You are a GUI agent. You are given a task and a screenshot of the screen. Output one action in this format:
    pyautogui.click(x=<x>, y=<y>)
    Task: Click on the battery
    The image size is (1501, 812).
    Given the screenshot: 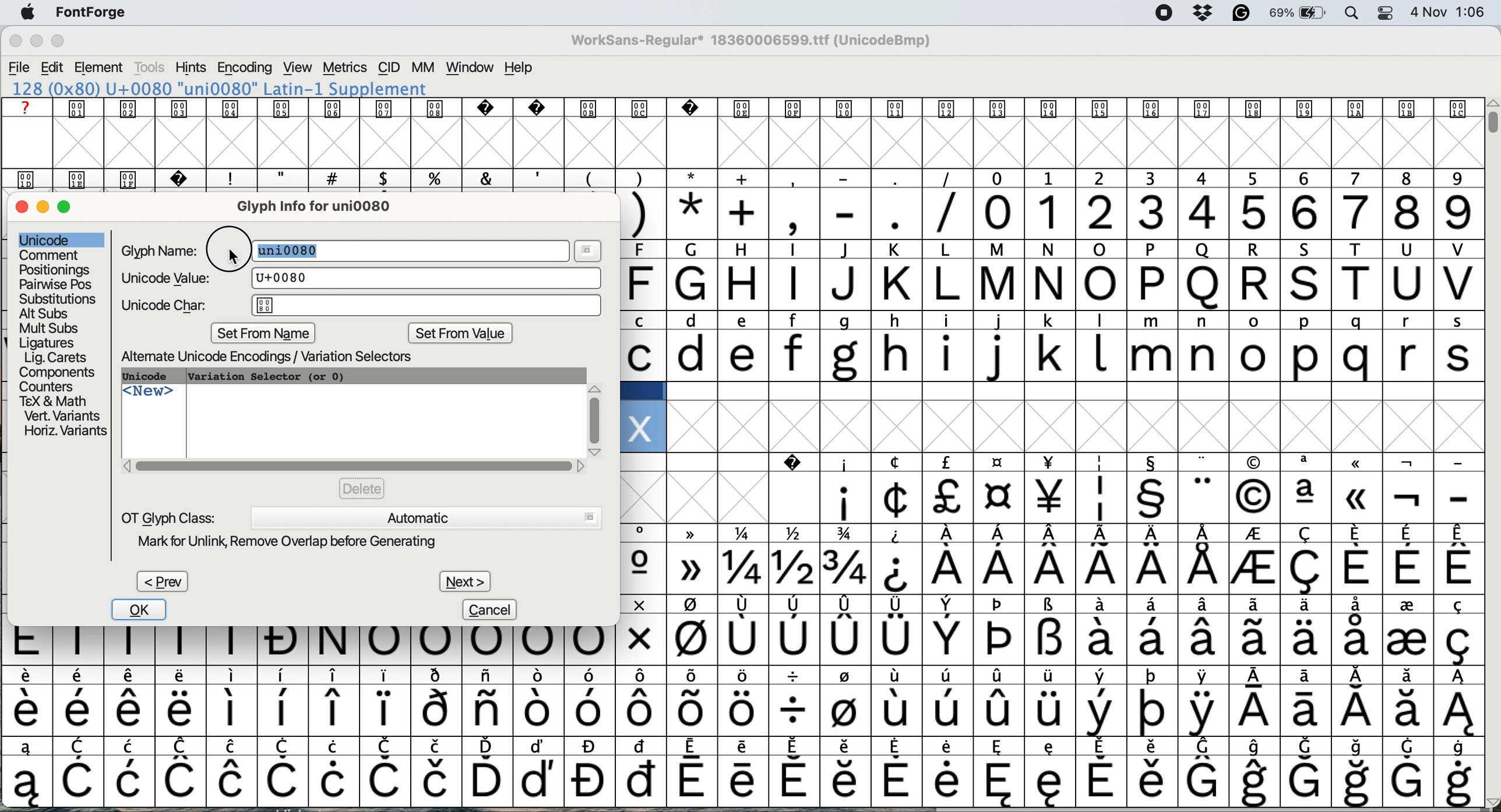 What is the action you would take?
    pyautogui.click(x=1298, y=13)
    